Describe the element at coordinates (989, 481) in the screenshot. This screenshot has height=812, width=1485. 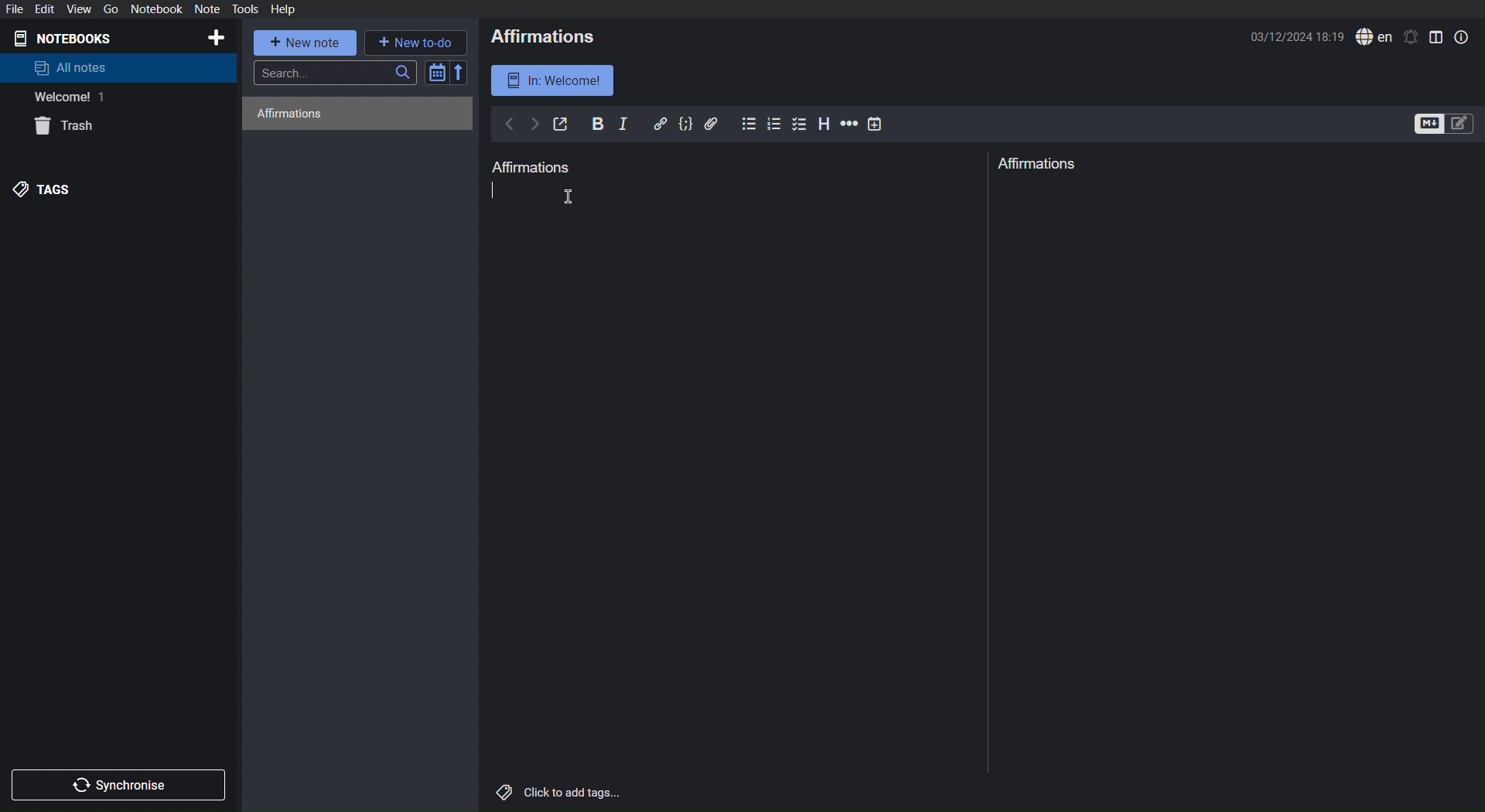
I see `Divider` at that location.